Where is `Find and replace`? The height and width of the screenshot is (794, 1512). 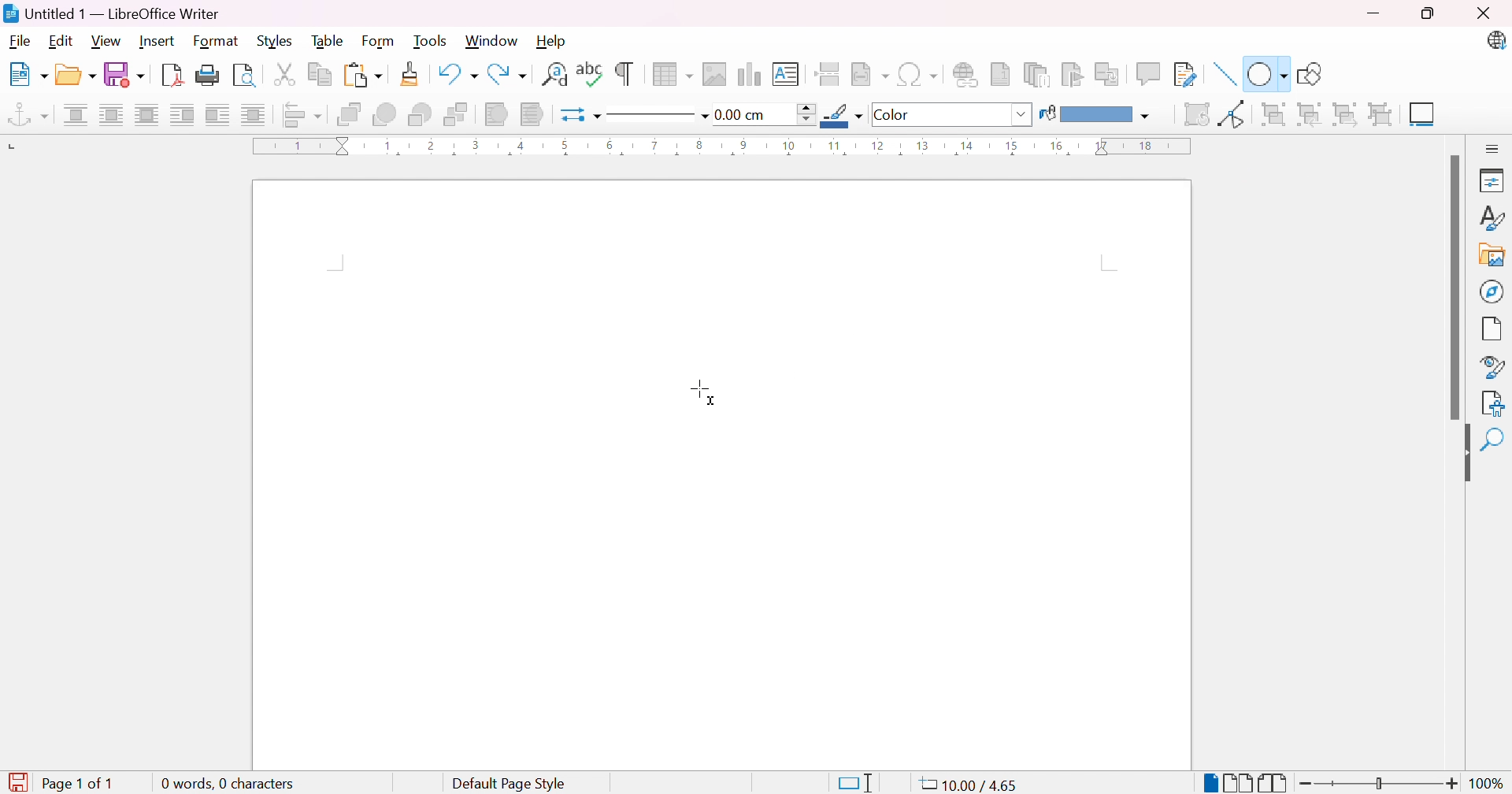 Find and replace is located at coordinates (553, 74).